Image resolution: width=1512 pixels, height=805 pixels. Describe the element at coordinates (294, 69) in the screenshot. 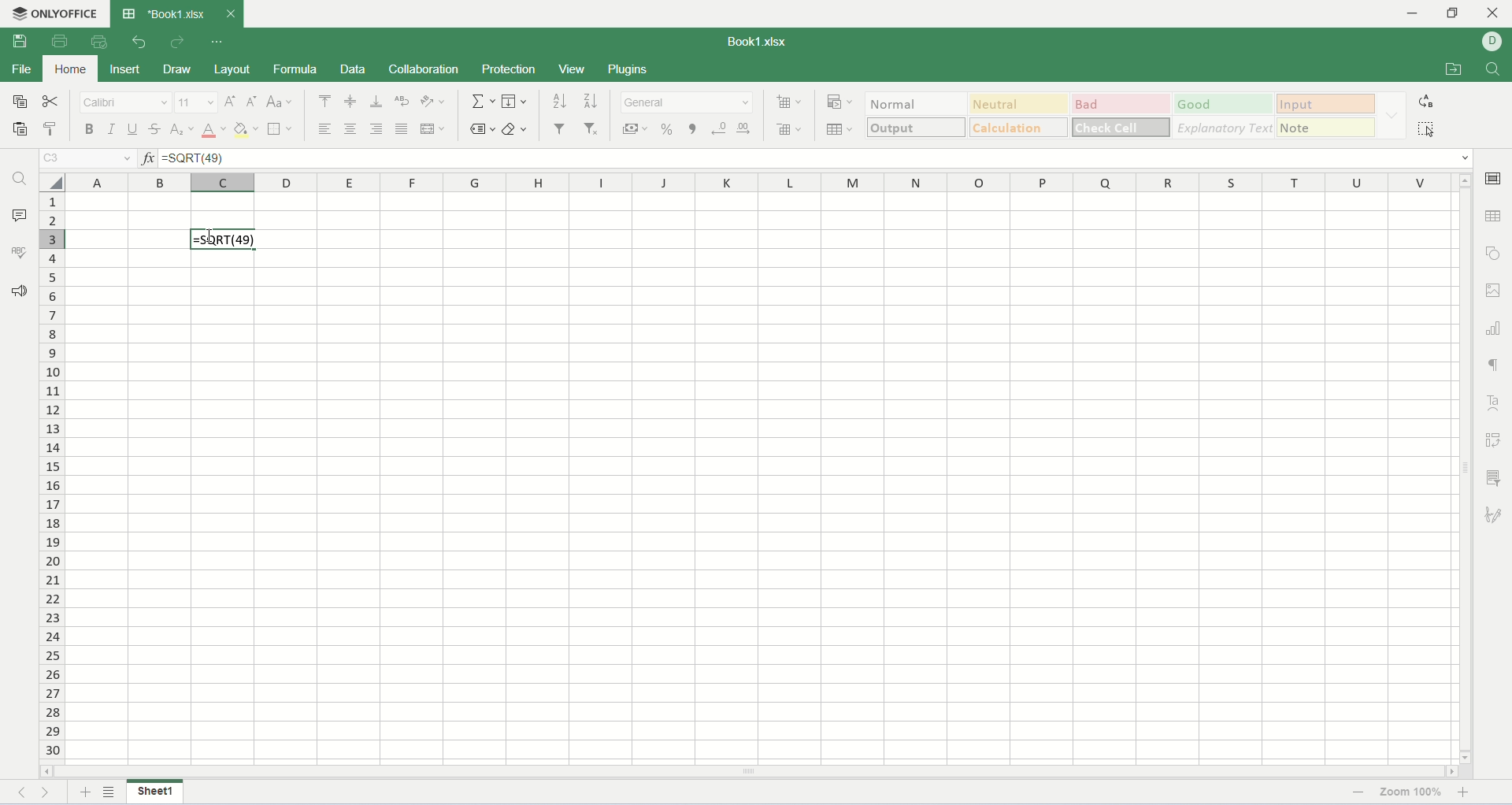

I see `formula` at that location.